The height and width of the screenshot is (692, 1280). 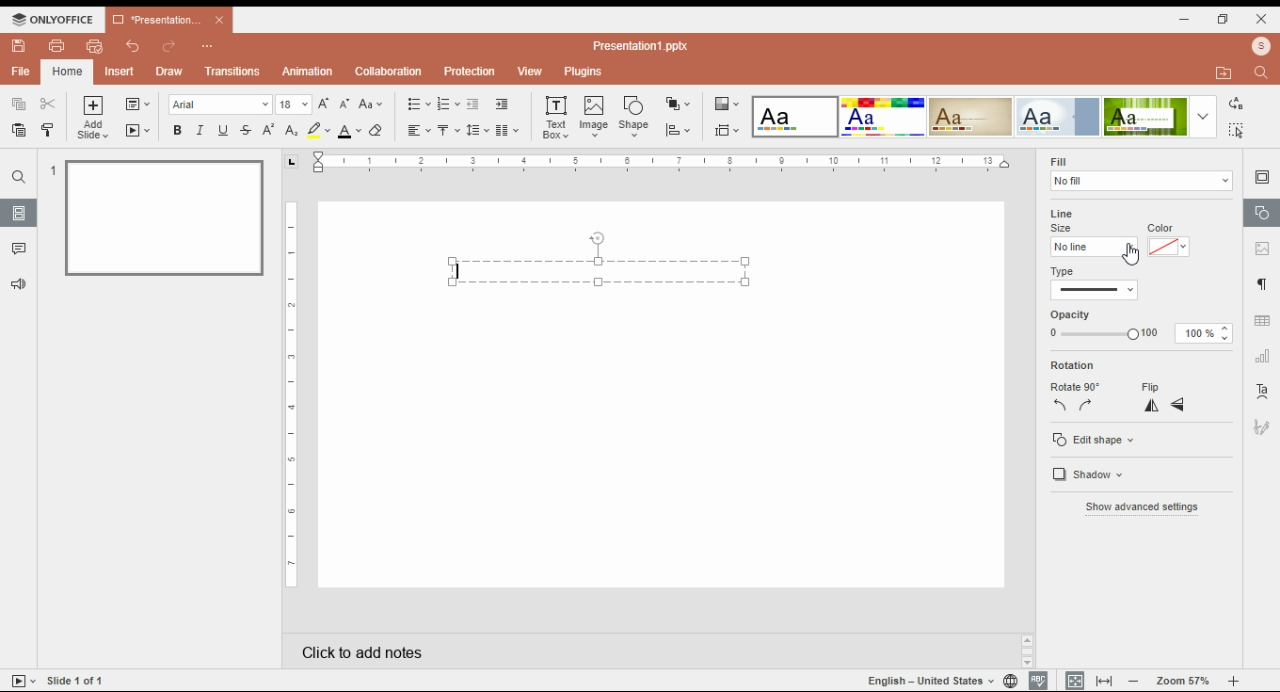 What do you see at coordinates (1105, 680) in the screenshot?
I see `fit to width` at bounding box center [1105, 680].